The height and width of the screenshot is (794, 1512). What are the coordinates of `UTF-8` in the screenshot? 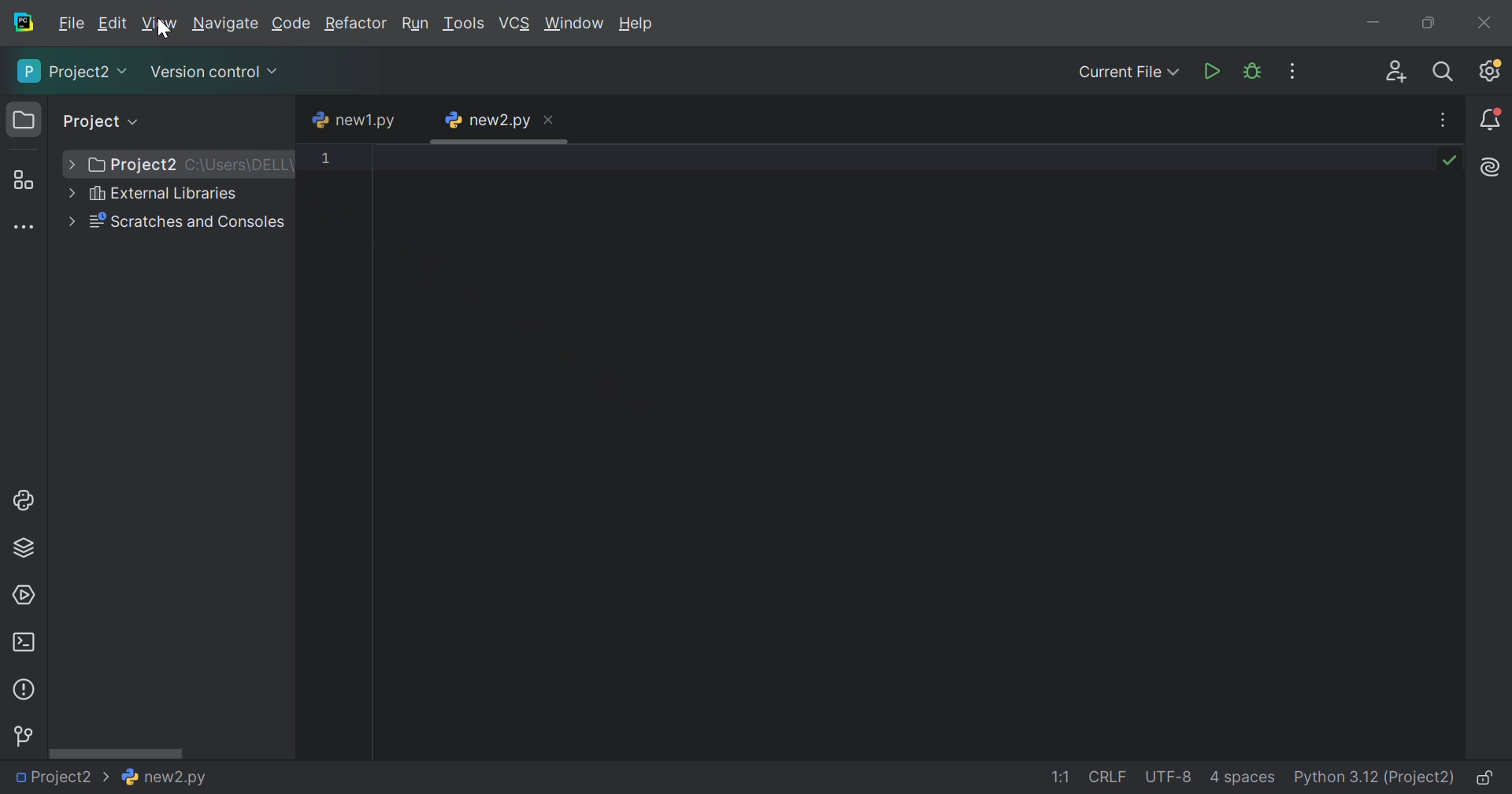 It's located at (1169, 777).